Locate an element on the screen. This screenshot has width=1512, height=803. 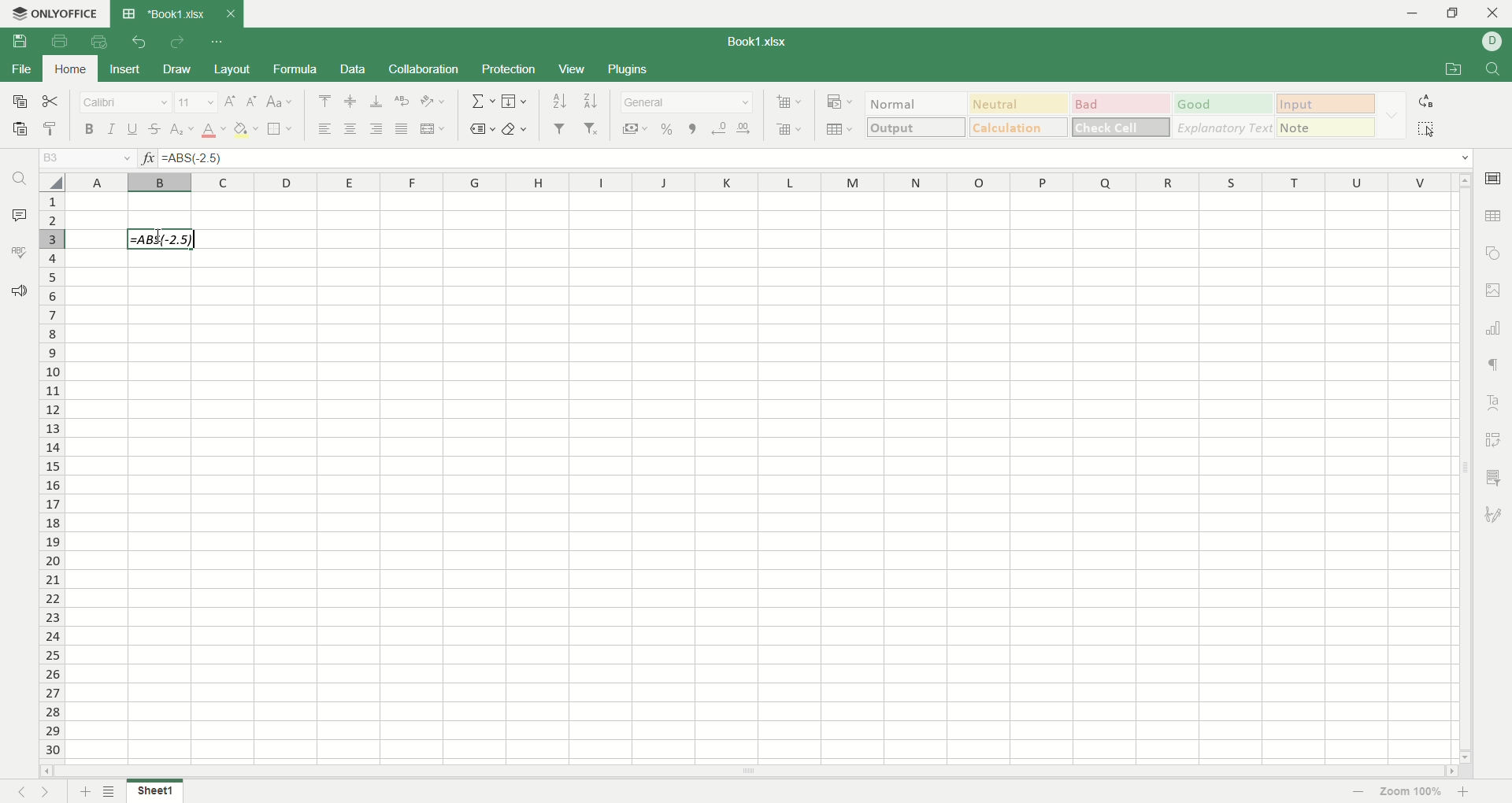
change case is located at coordinates (281, 102).